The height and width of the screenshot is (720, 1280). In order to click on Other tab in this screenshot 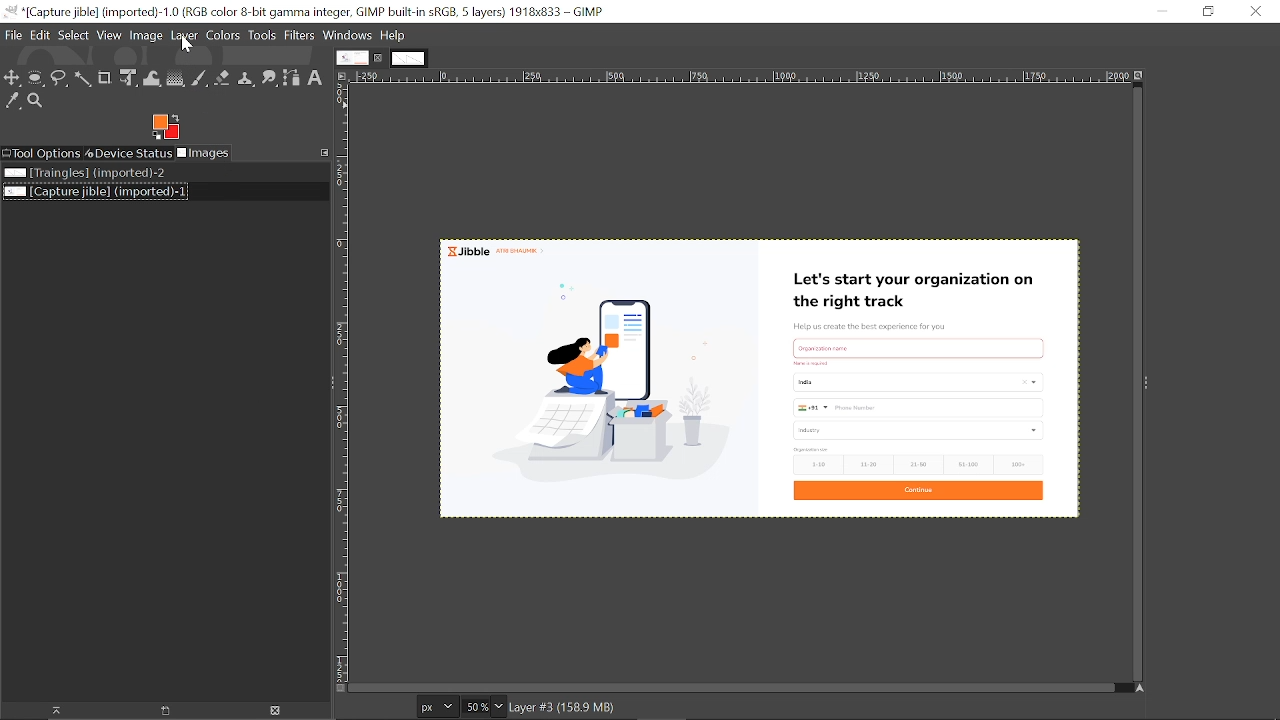, I will do `click(408, 59)`.